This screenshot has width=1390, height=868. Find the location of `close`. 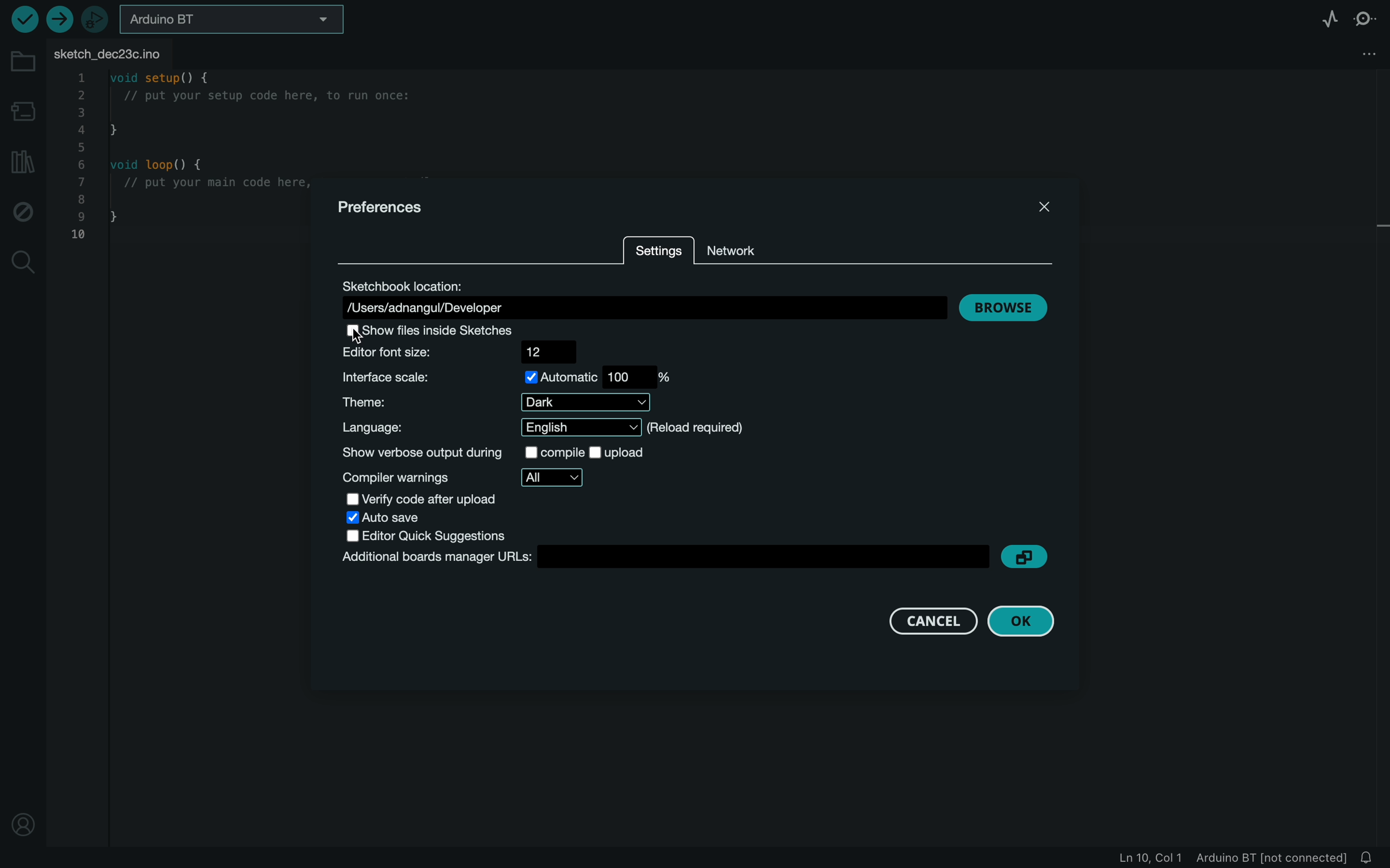

close is located at coordinates (1041, 206).